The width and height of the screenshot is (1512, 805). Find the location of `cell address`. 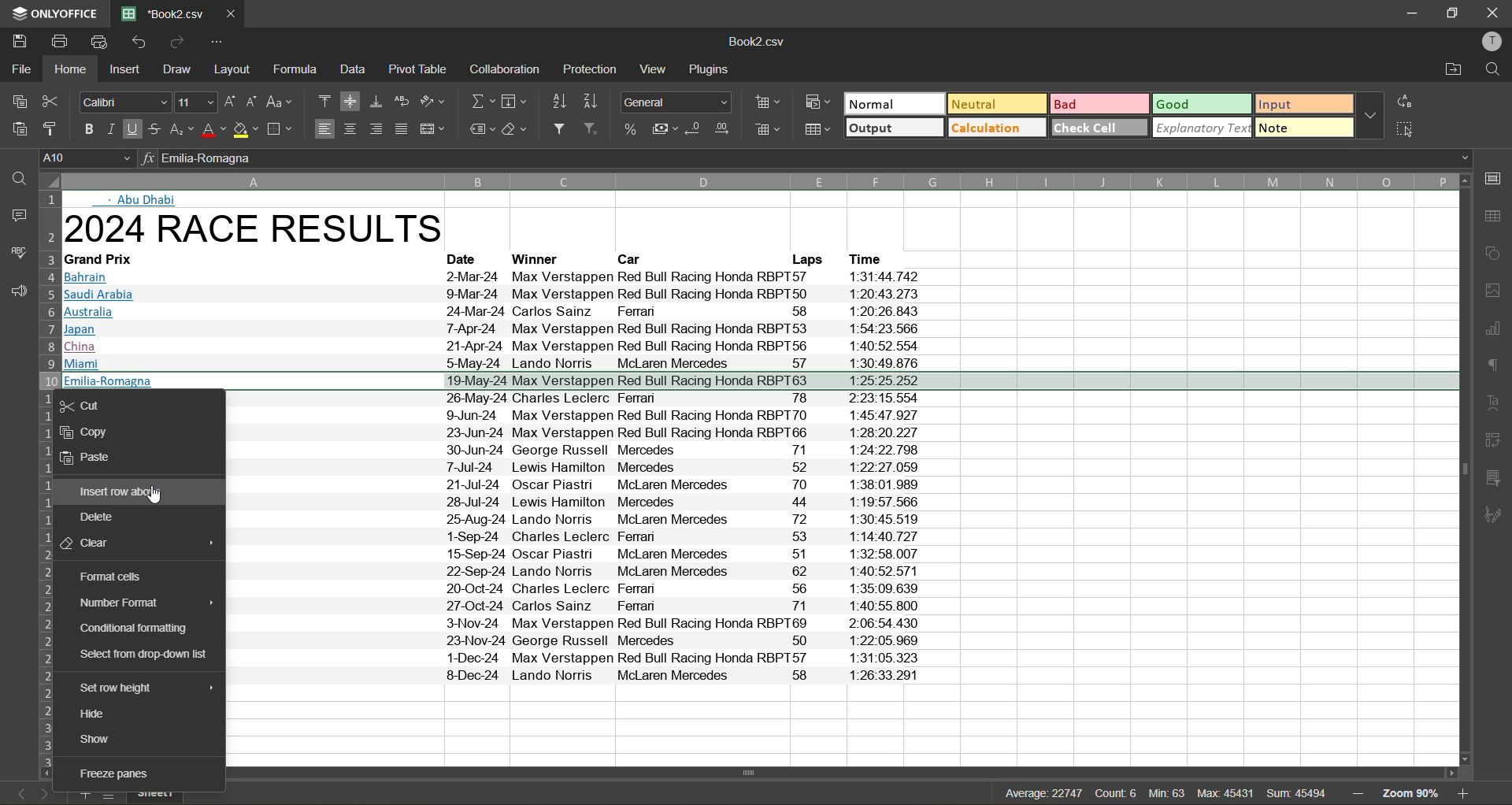

cell address is located at coordinates (87, 160).